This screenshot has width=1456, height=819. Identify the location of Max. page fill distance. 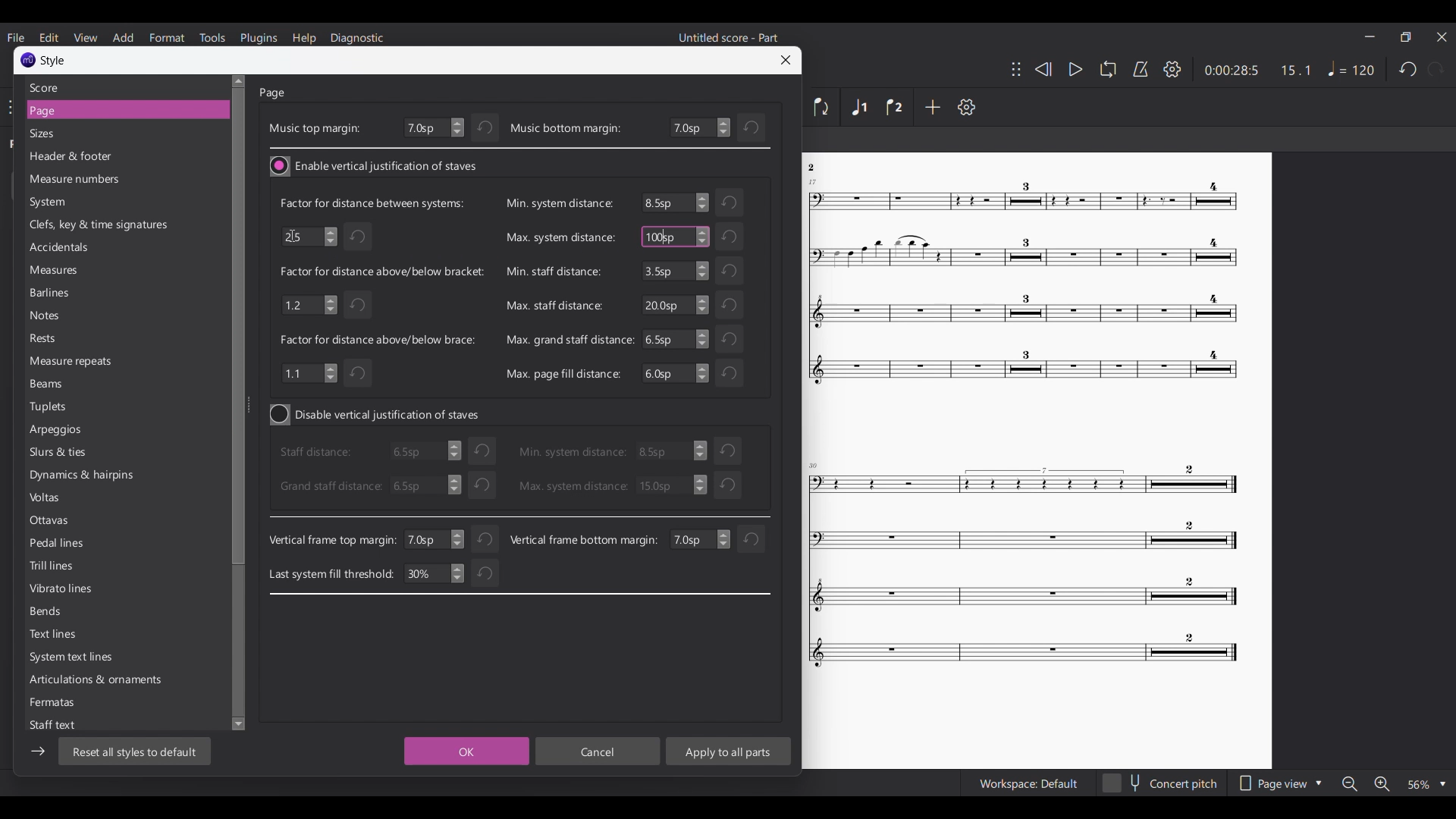
(563, 373).